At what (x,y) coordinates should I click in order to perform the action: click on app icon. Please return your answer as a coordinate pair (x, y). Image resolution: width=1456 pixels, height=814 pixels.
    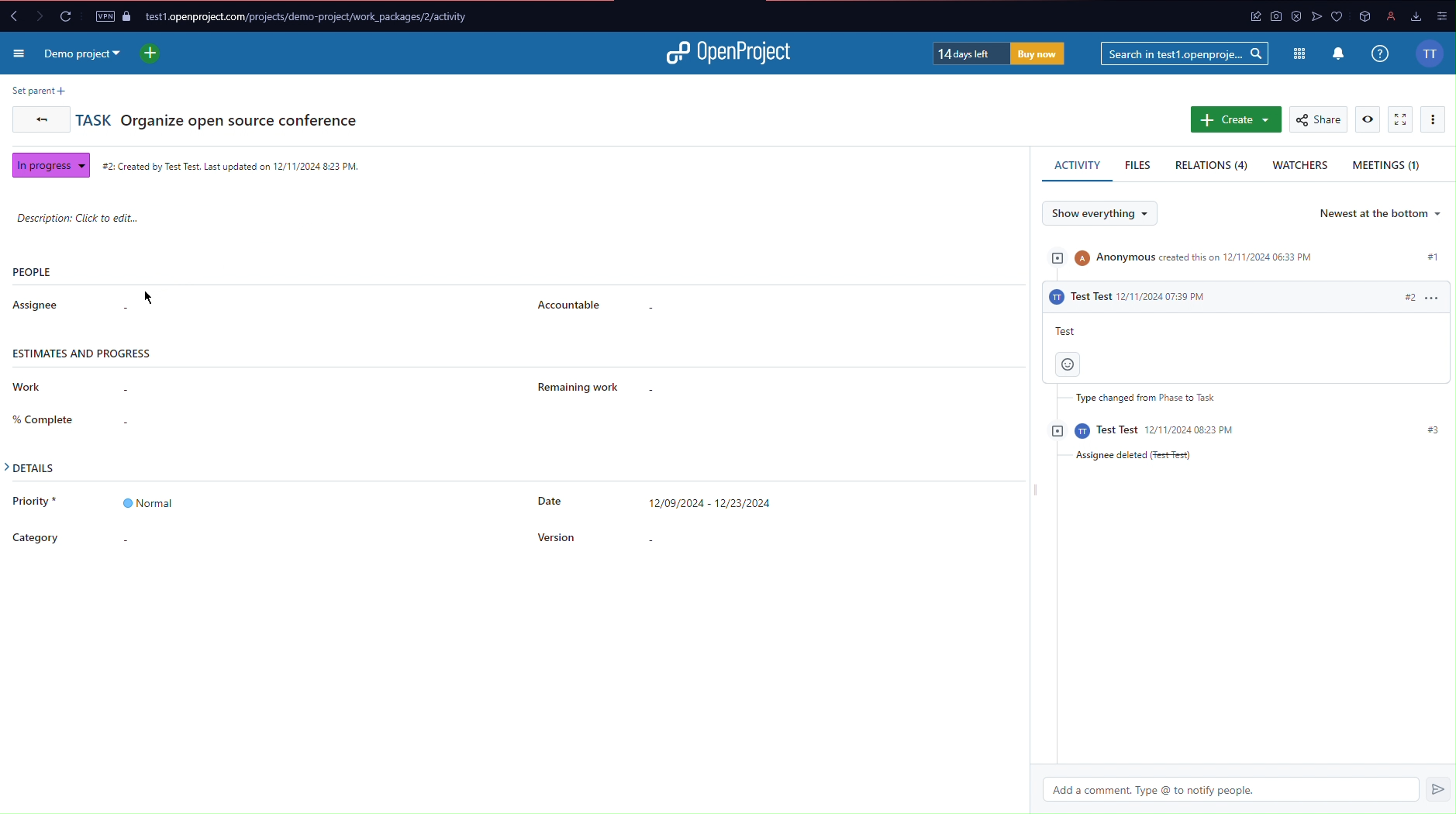
    Looking at the image, I should click on (1313, 16).